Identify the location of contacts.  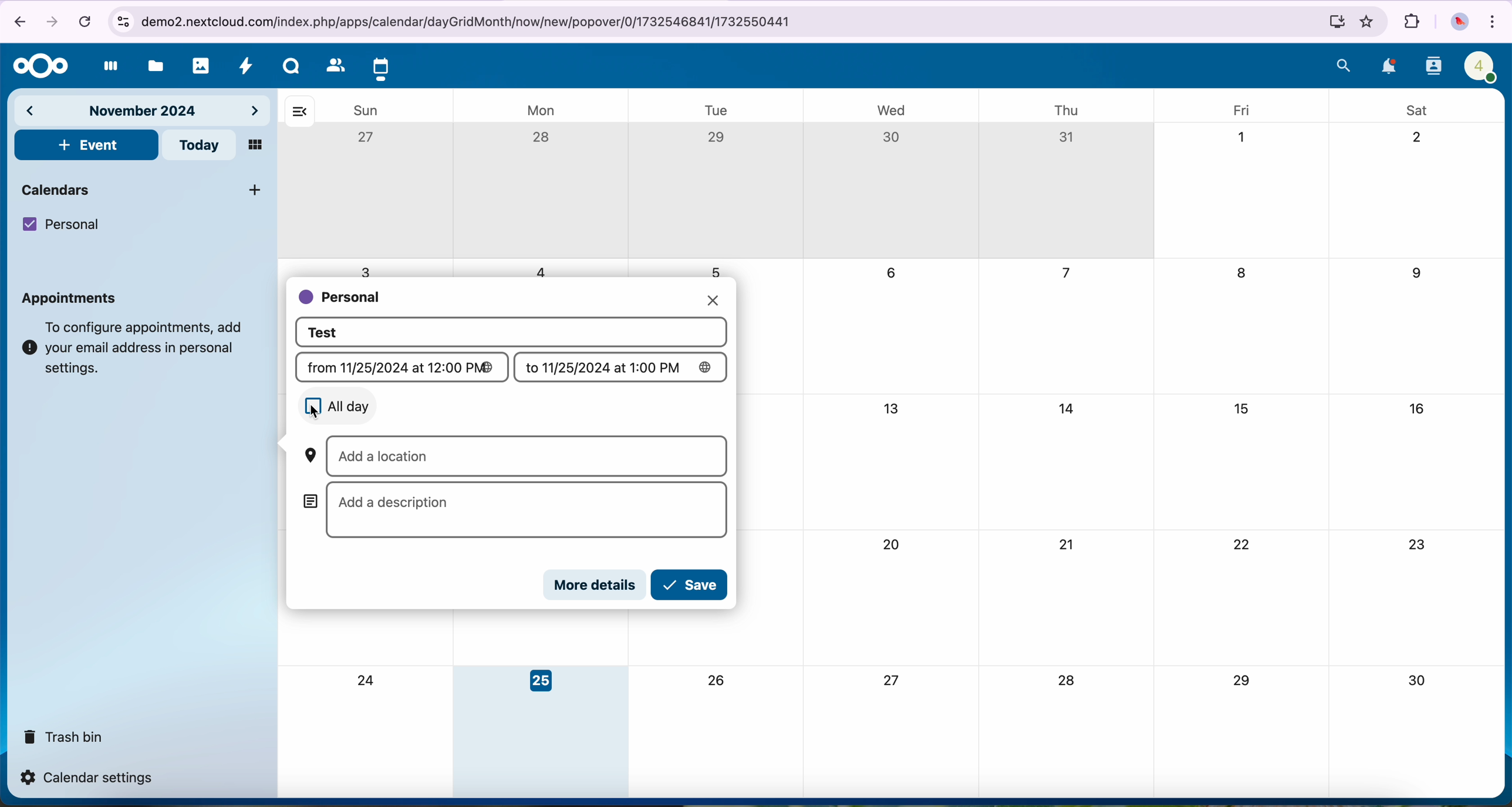
(1432, 67).